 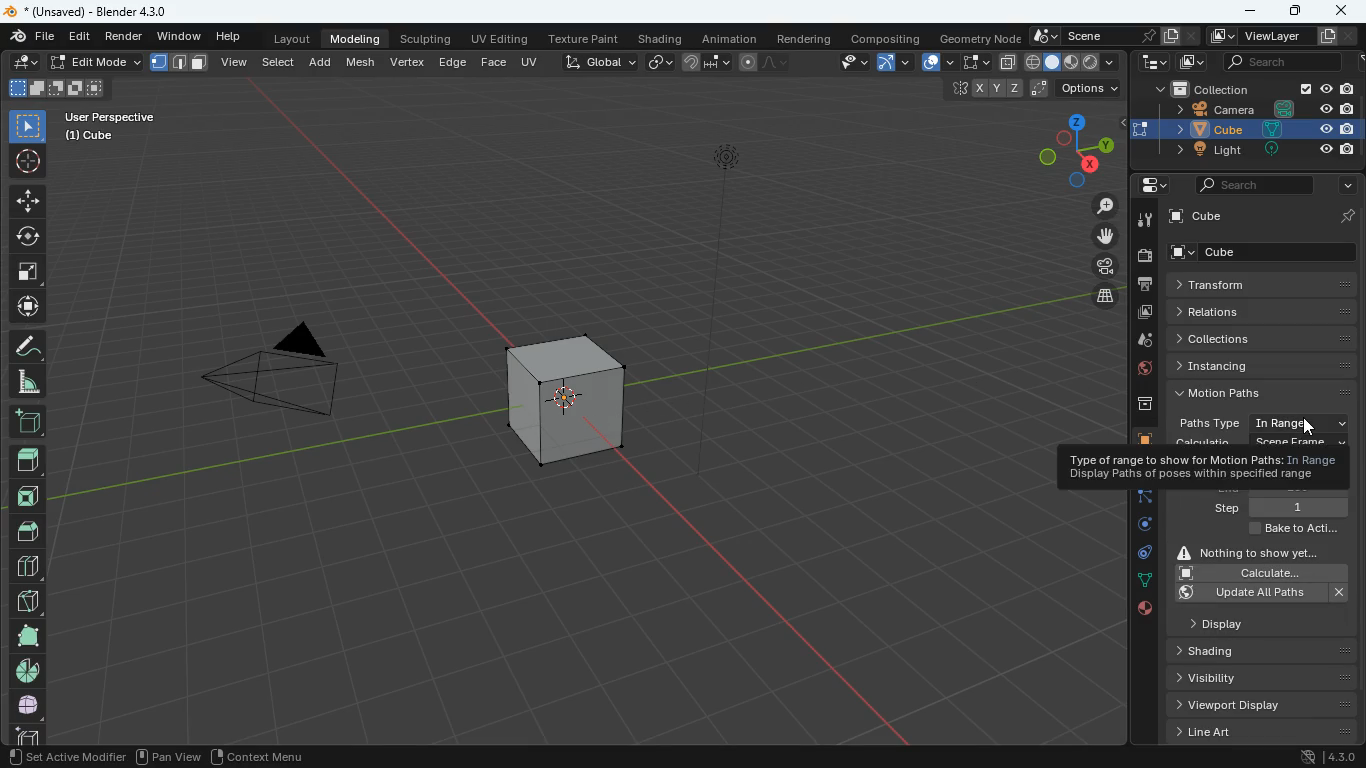 I want to click on perks, so click(x=180, y=63).